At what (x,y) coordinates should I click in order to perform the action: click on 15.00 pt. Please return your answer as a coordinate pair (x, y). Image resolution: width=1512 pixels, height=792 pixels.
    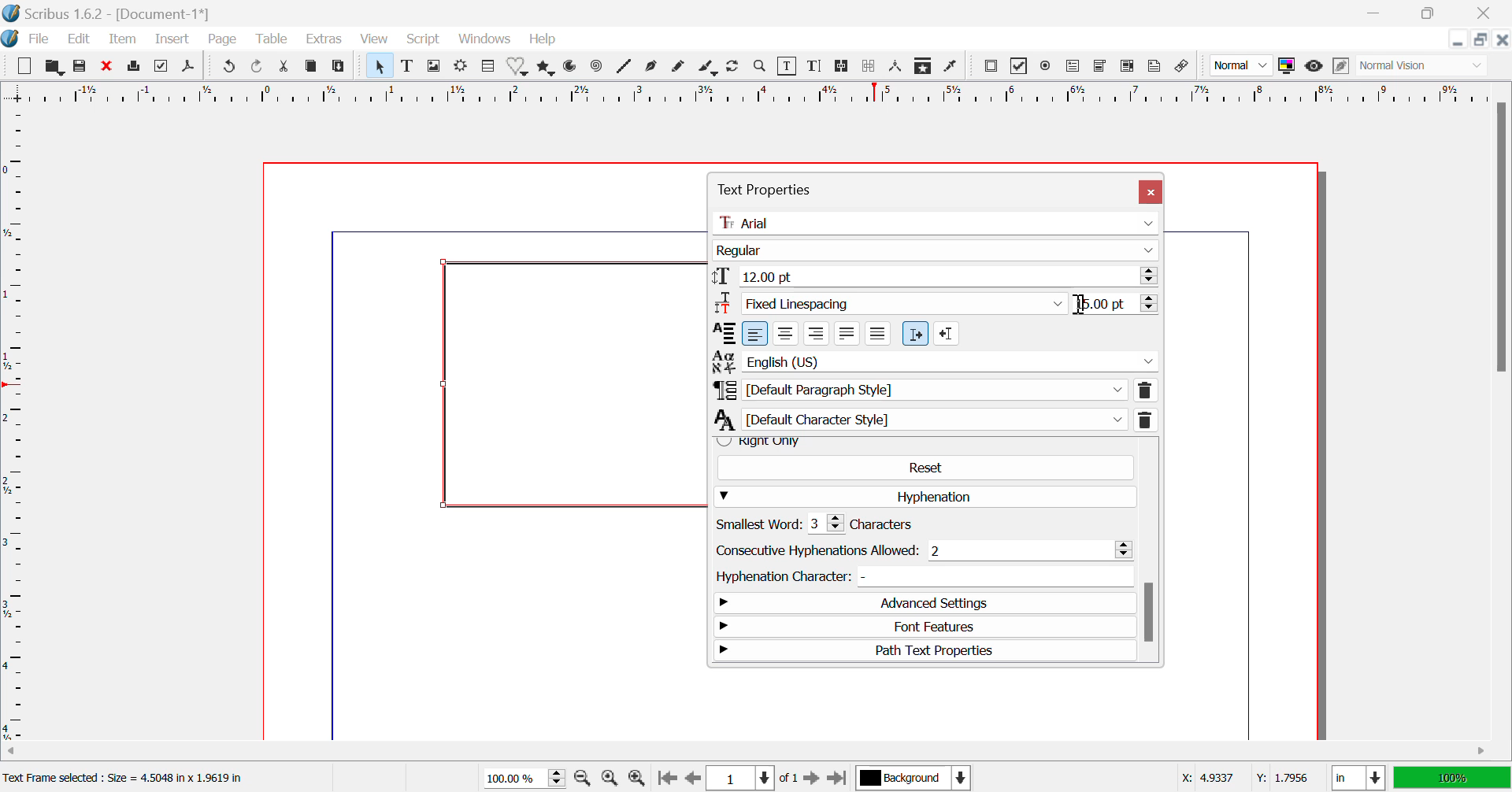
    Looking at the image, I should click on (1120, 304).